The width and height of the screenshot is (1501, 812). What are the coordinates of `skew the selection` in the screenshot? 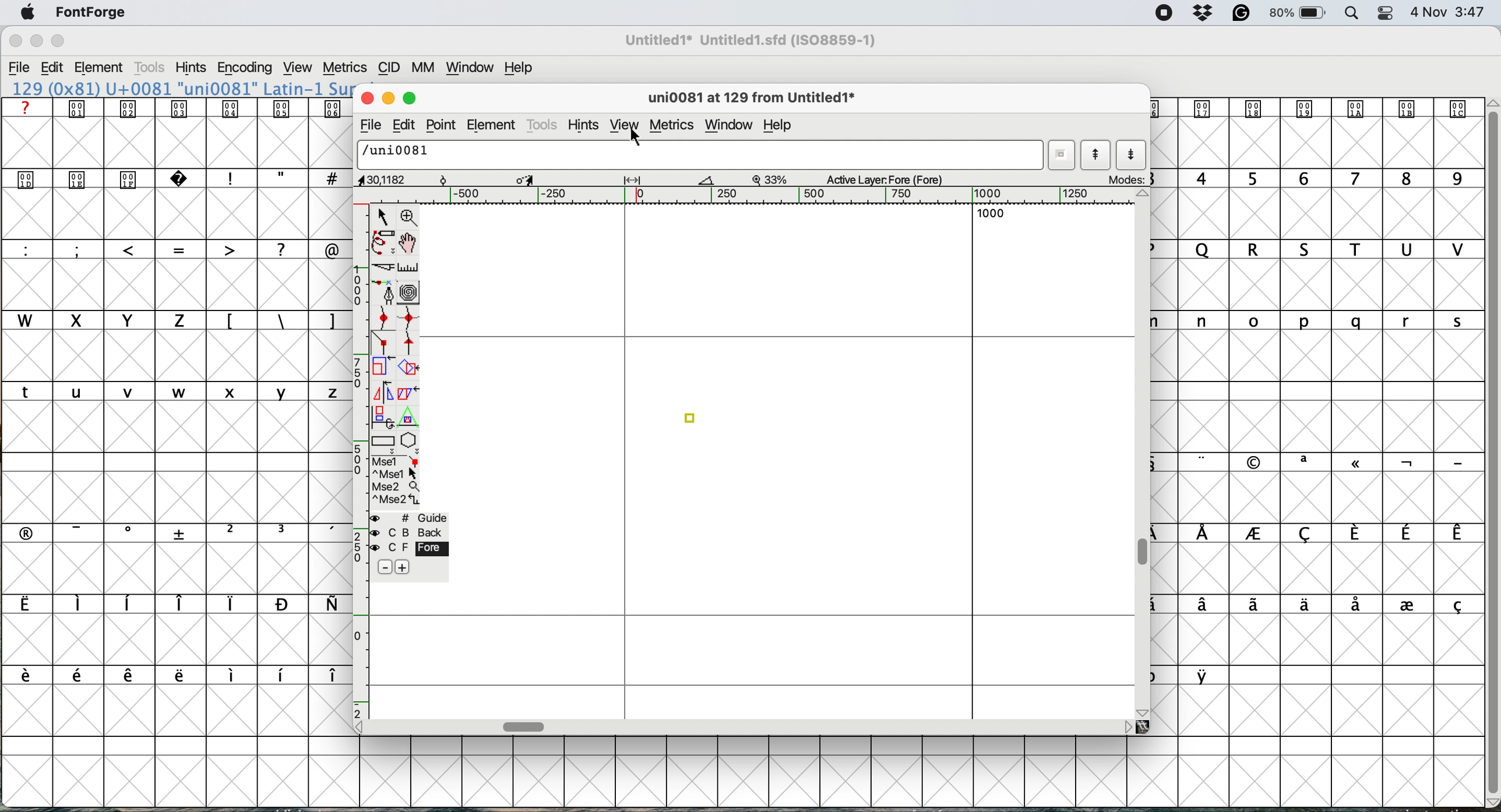 It's located at (409, 391).